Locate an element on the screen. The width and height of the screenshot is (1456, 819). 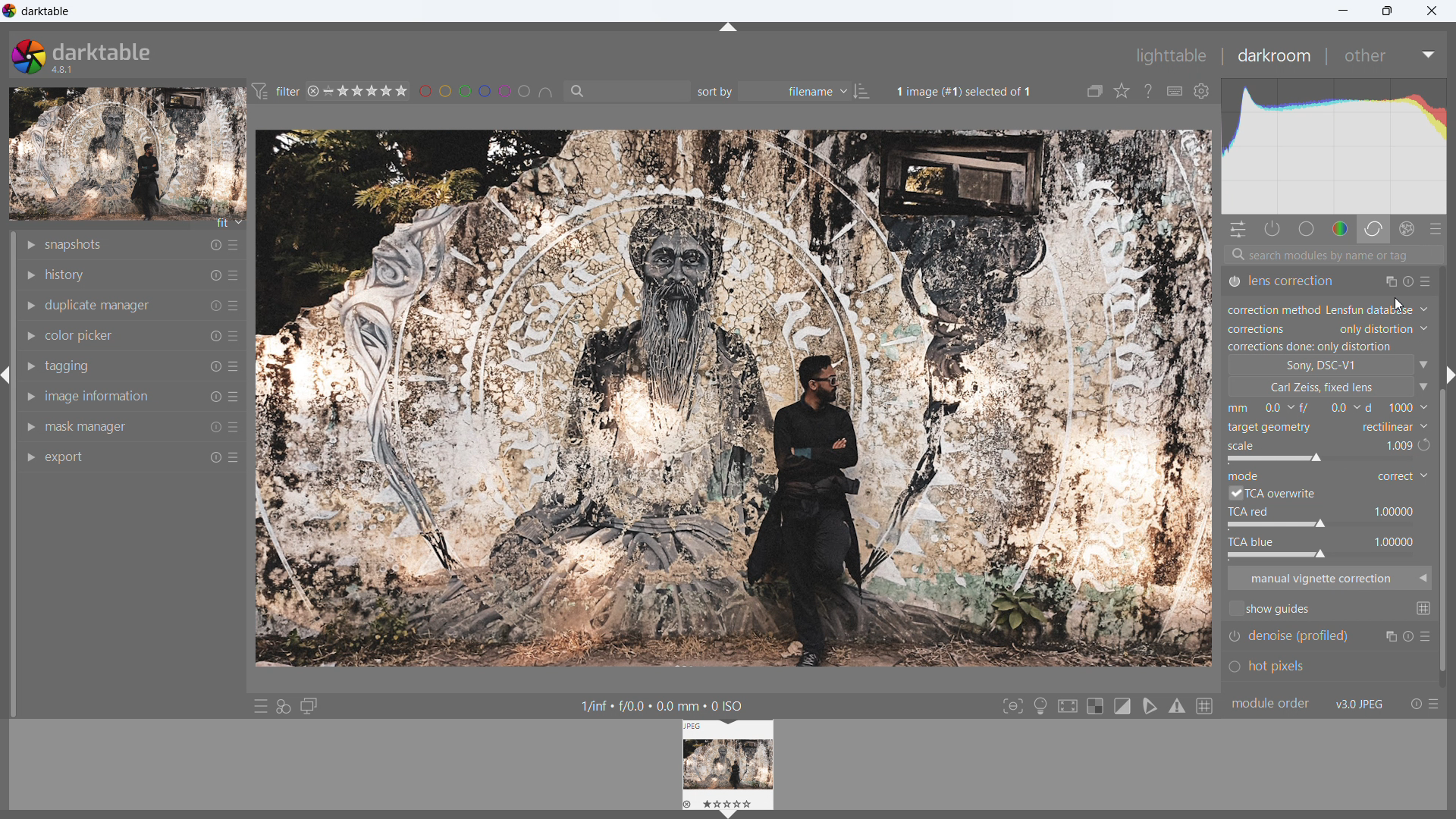
range rating is located at coordinates (376, 93).